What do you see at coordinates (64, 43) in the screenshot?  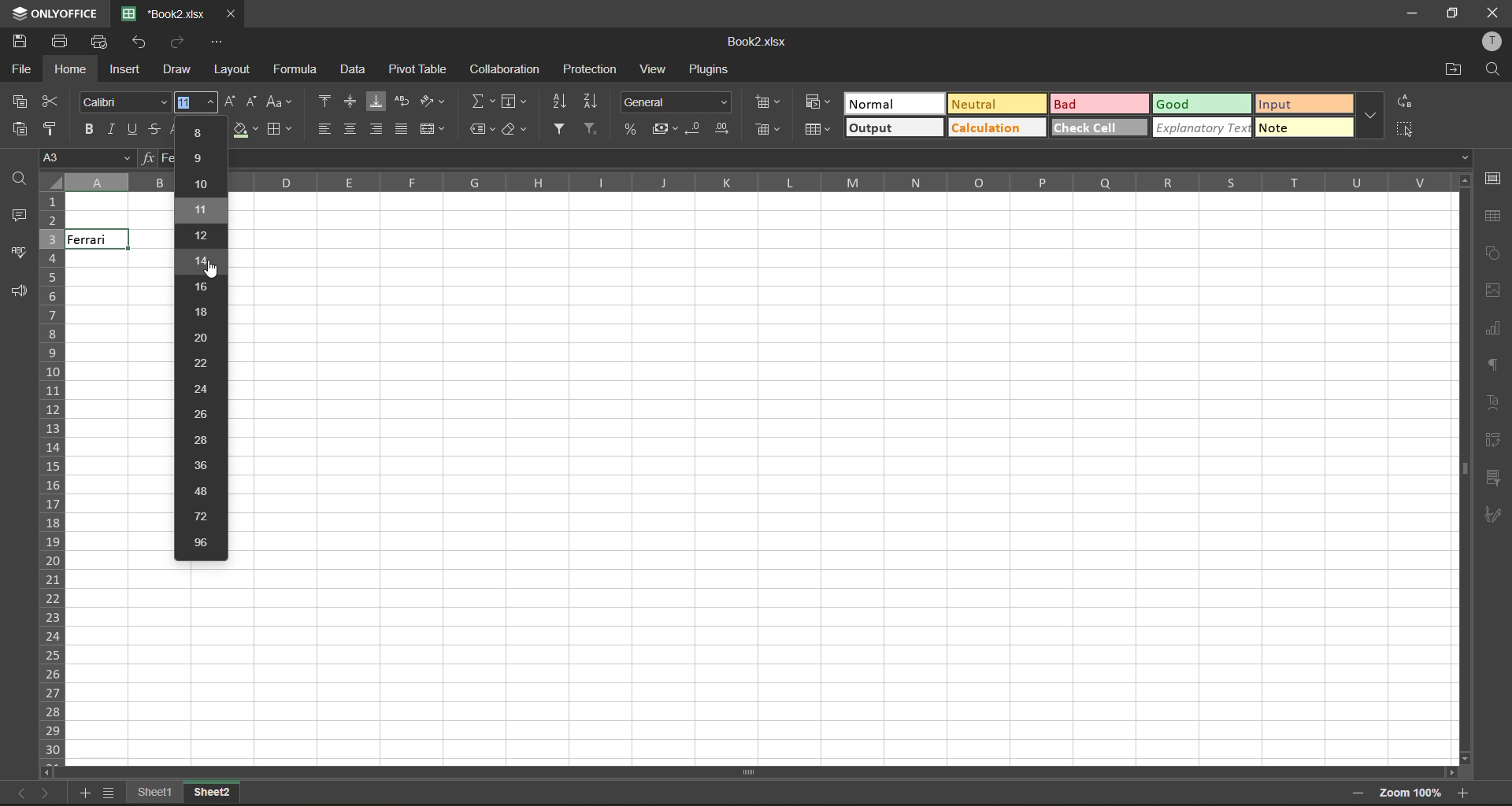 I see `print` at bounding box center [64, 43].